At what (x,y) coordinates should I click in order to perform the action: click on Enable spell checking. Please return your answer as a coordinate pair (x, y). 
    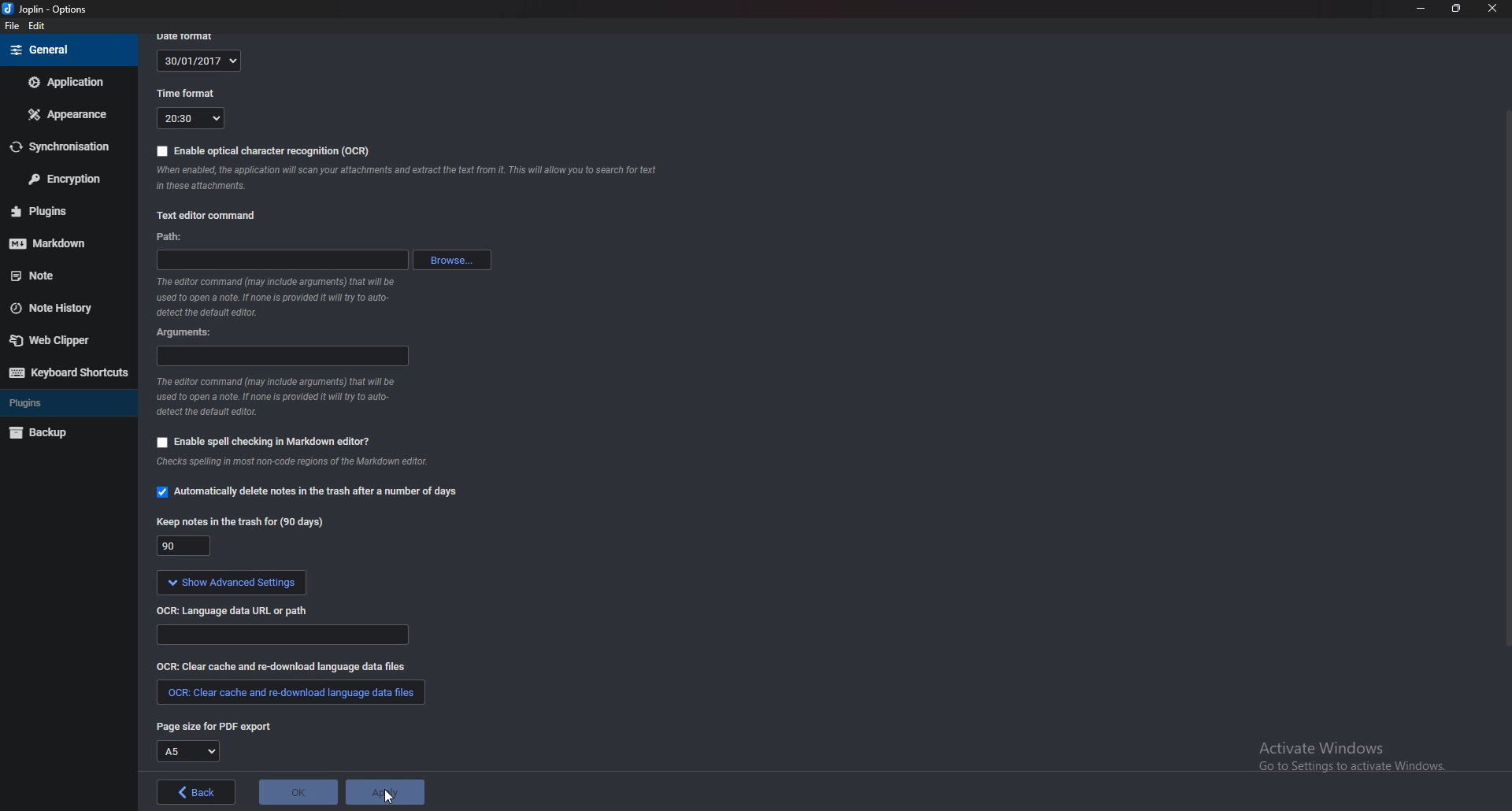
    Looking at the image, I should click on (264, 442).